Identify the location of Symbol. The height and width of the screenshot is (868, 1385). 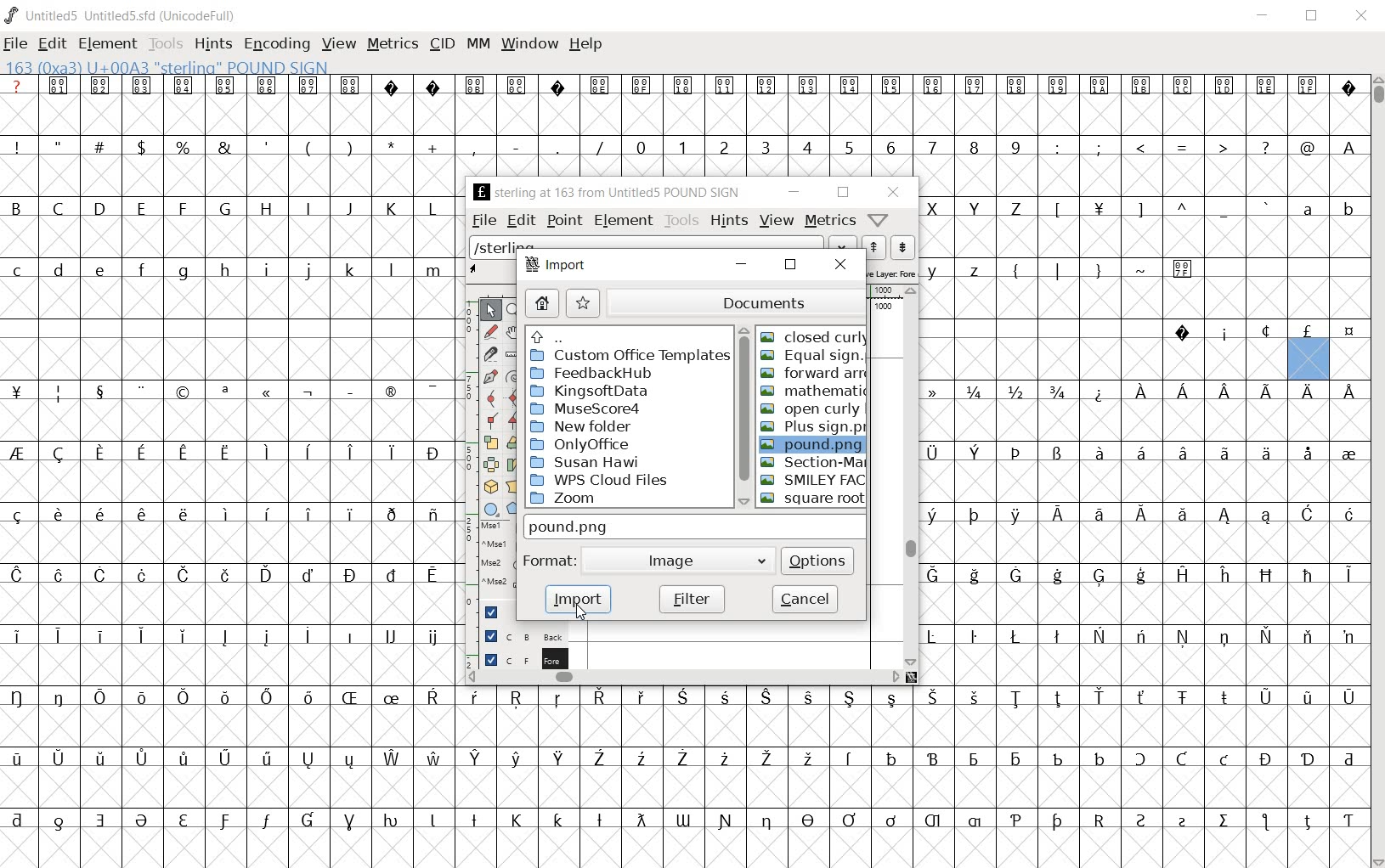
(267, 394).